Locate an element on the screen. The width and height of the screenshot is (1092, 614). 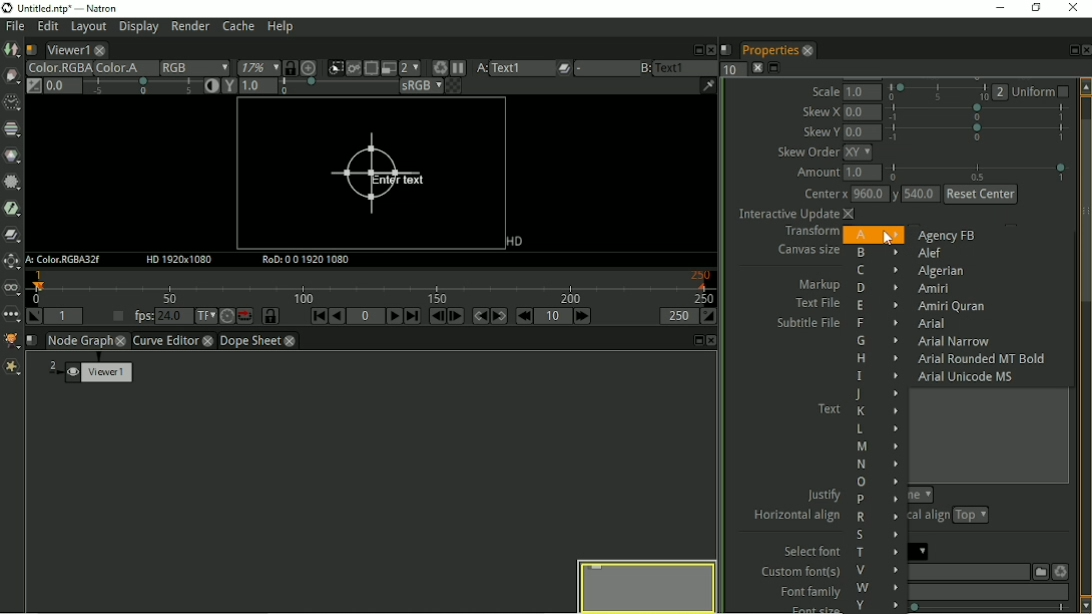
arial is located at coordinates (921, 551).